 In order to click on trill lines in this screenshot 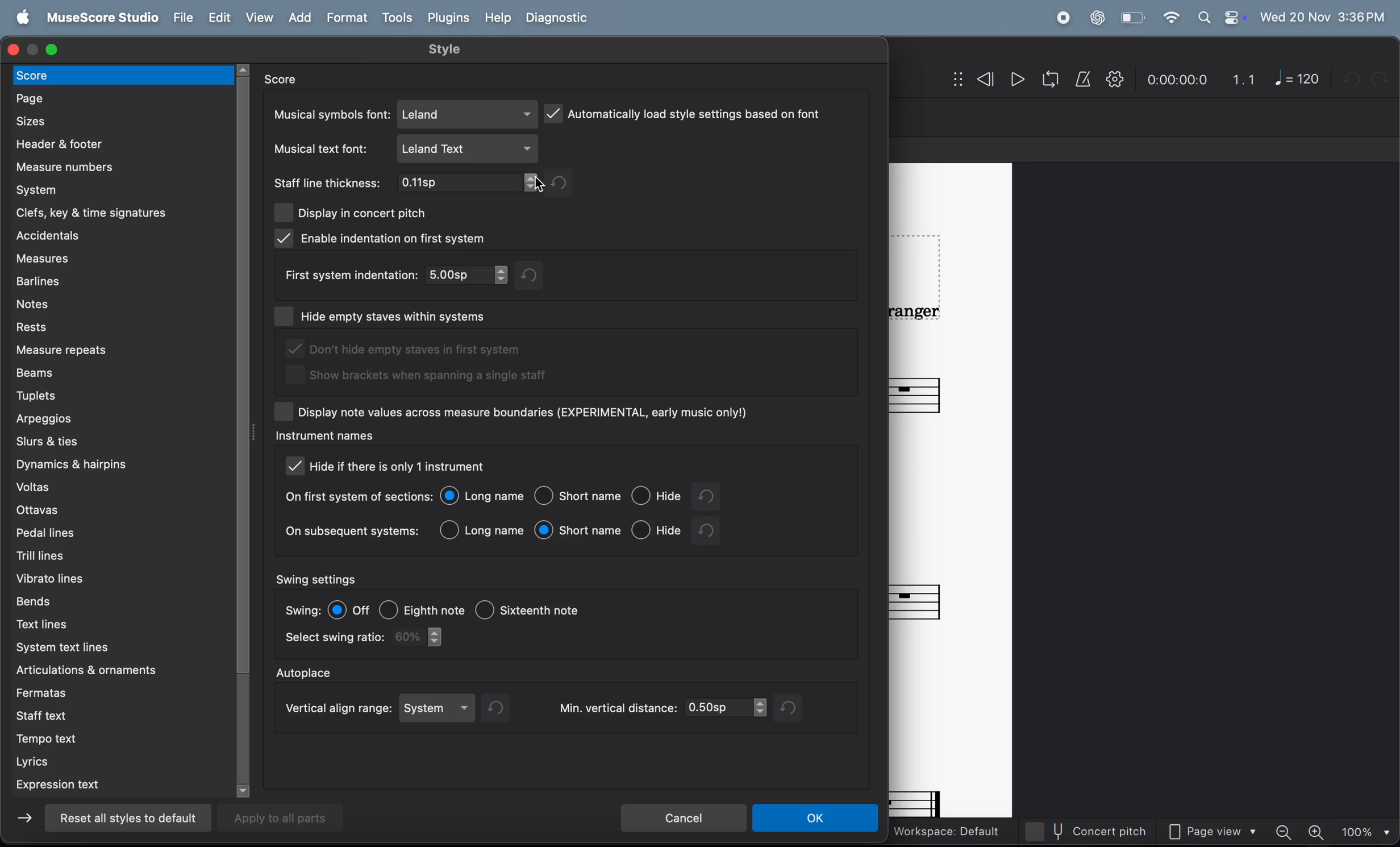, I will do `click(105, 554)`.